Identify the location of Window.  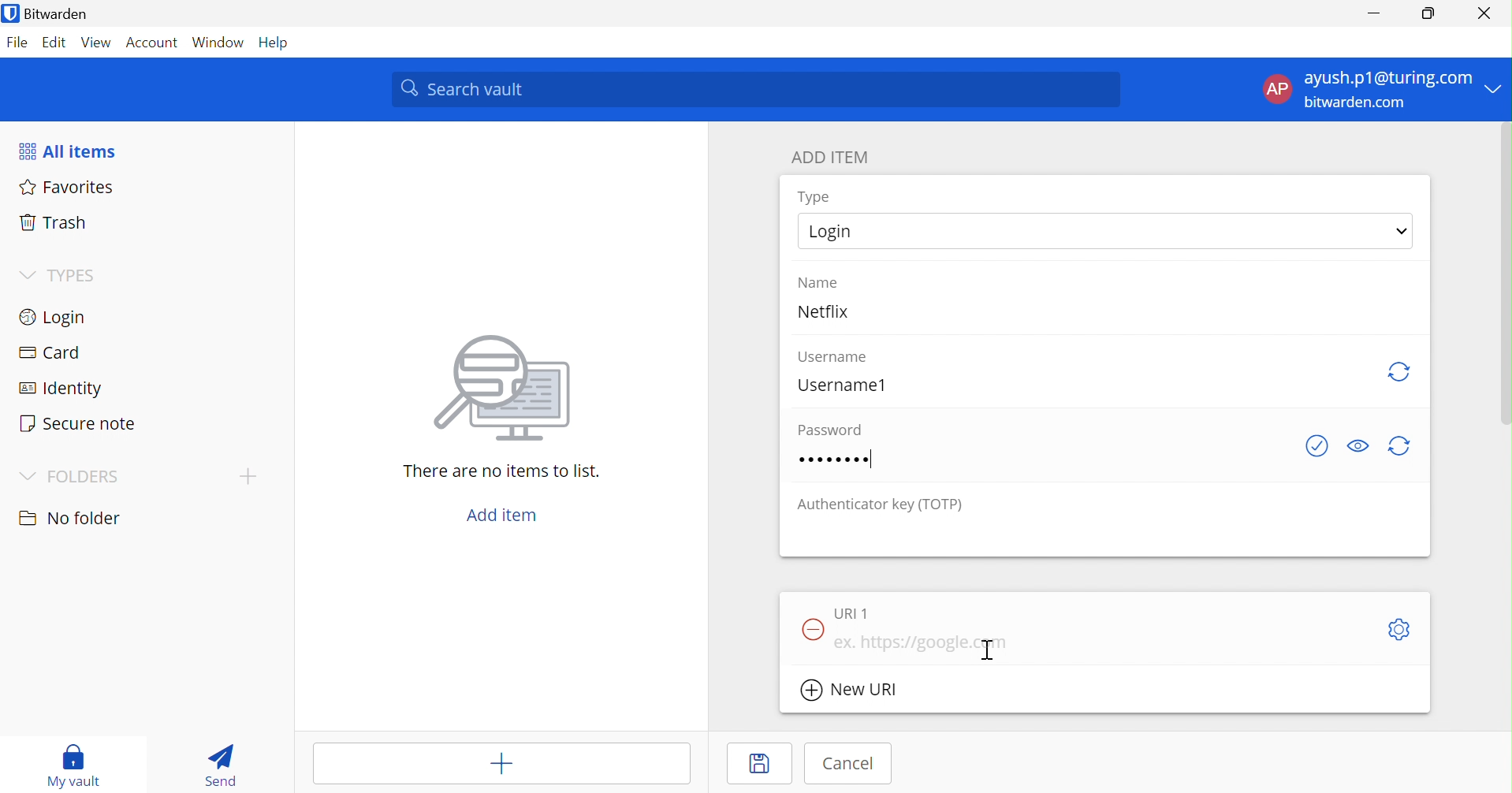
(218, 43).